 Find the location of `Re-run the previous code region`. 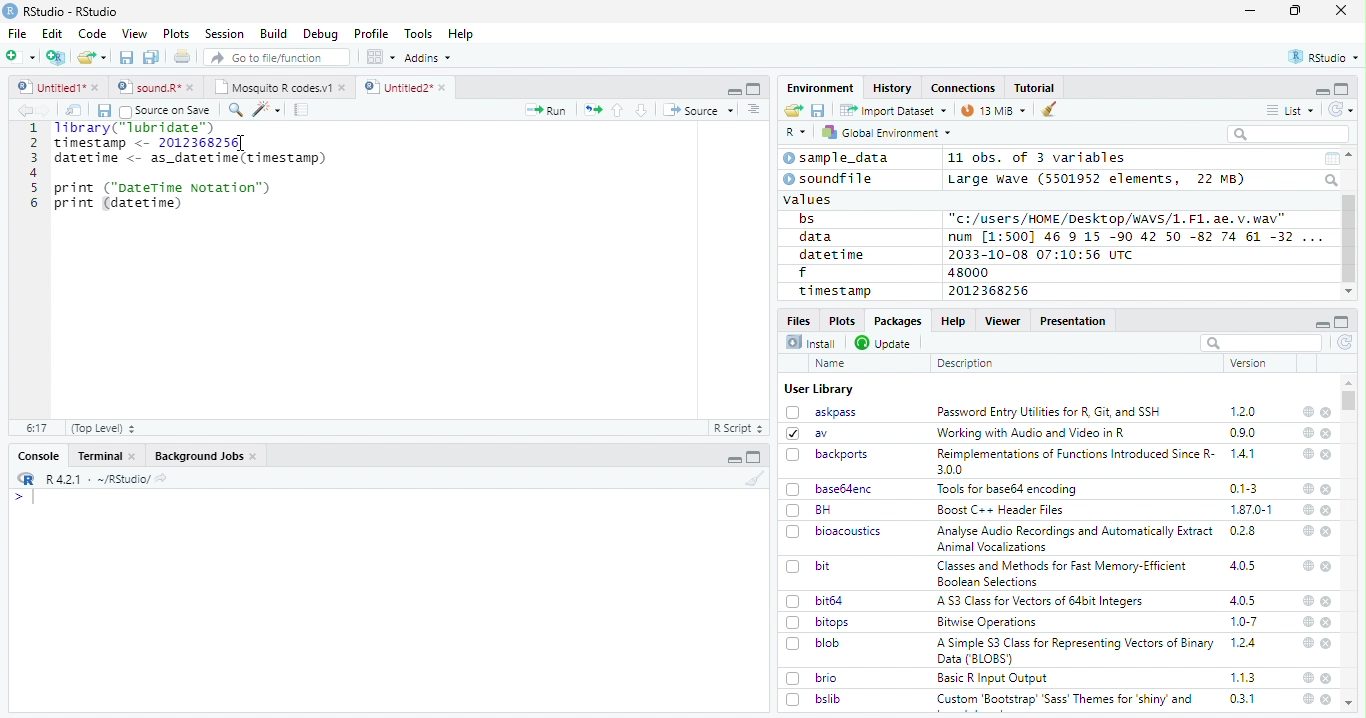

Re-run the previous code region is located at coordinates (591, 111).